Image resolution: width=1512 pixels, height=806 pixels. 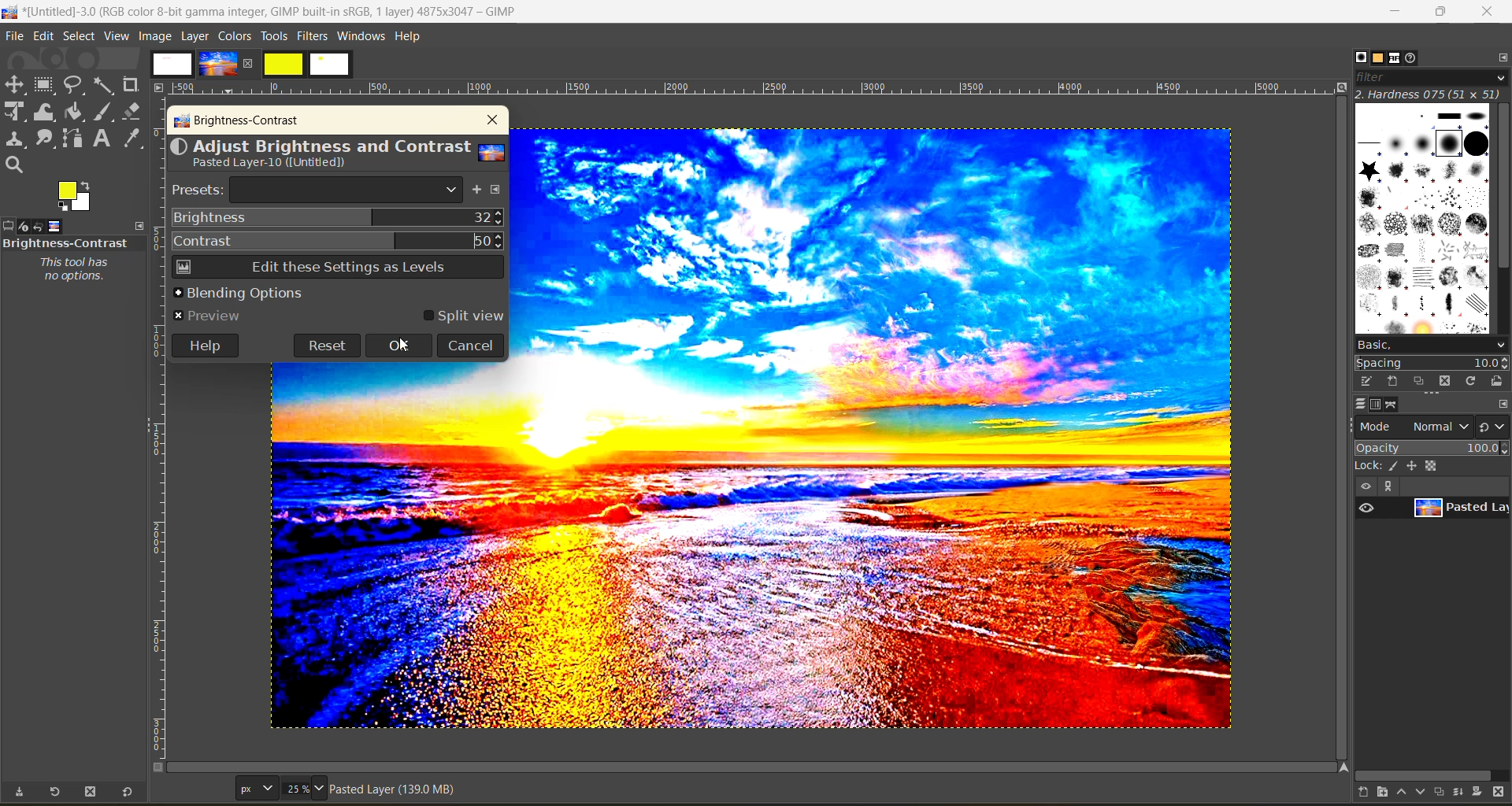 I want to click on create a new layer group, so click(x=1390, y=793).